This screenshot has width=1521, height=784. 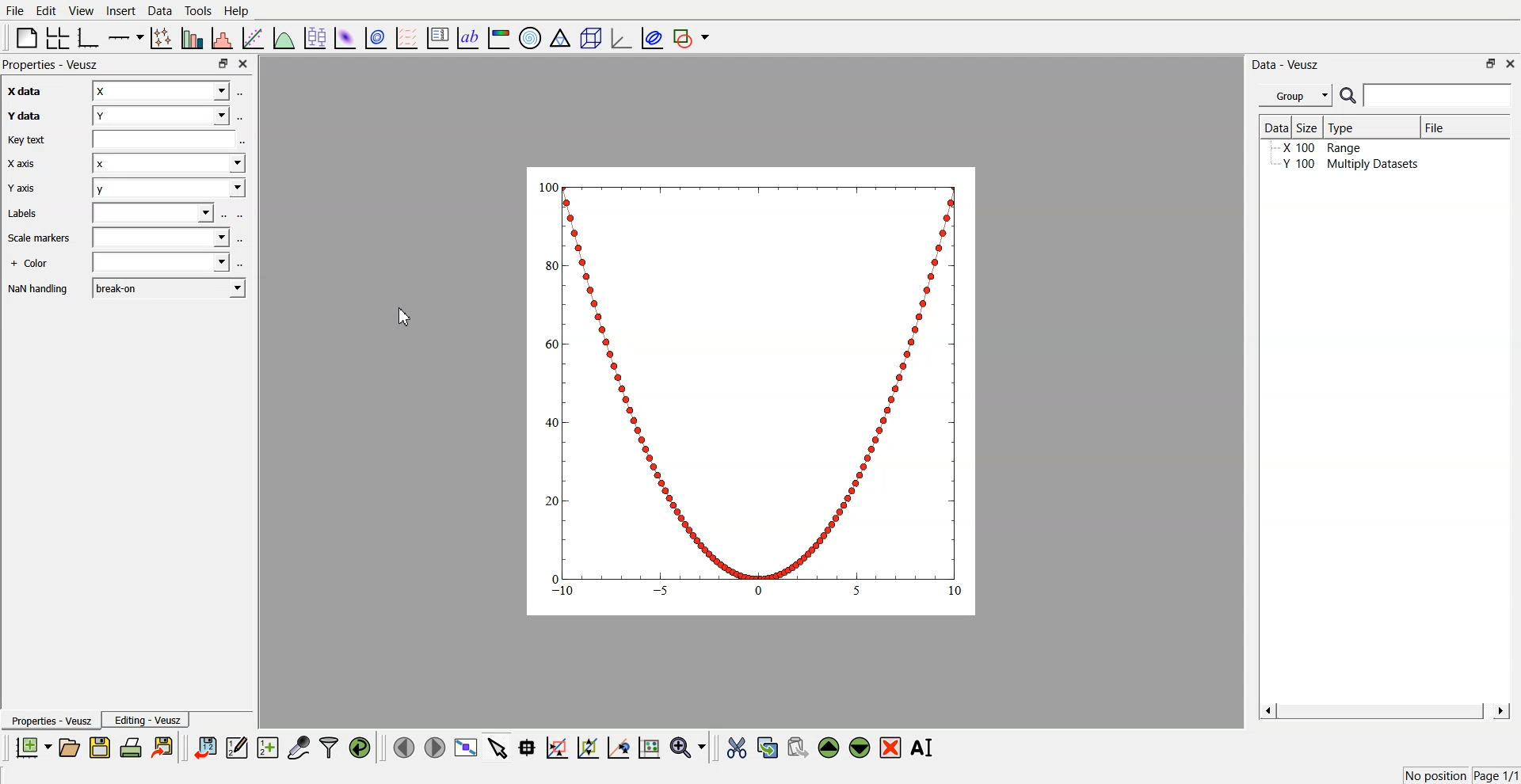 What do you see at coordinates (28, 92) in the screenshot?
I see `X-axis` at bounding box center [28, 92].